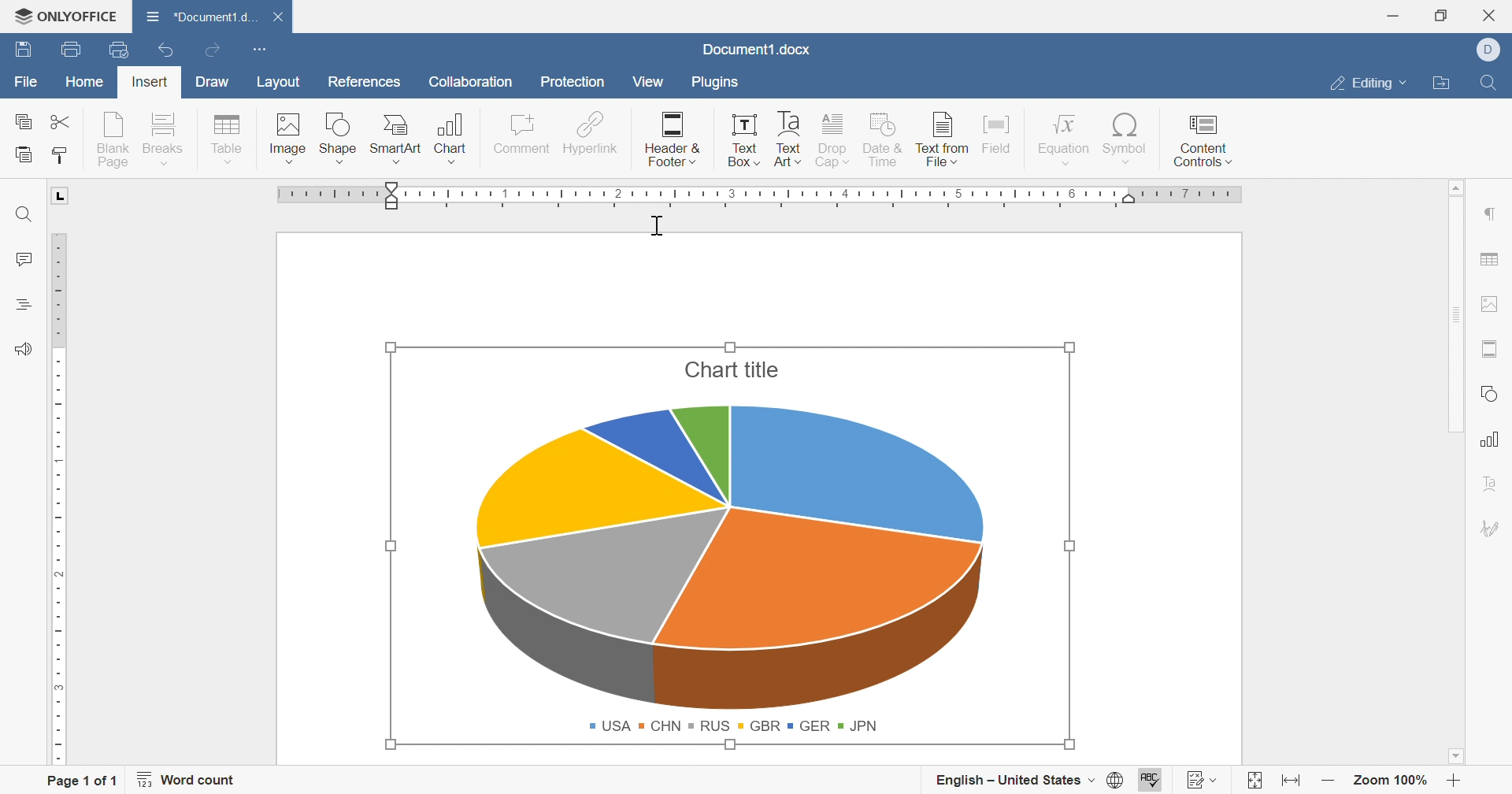 The image size is (1512, 794). What do you see at coordinates (745, 141) in the screenshot?
I see `Text Box` at bounding box center [745, 141].